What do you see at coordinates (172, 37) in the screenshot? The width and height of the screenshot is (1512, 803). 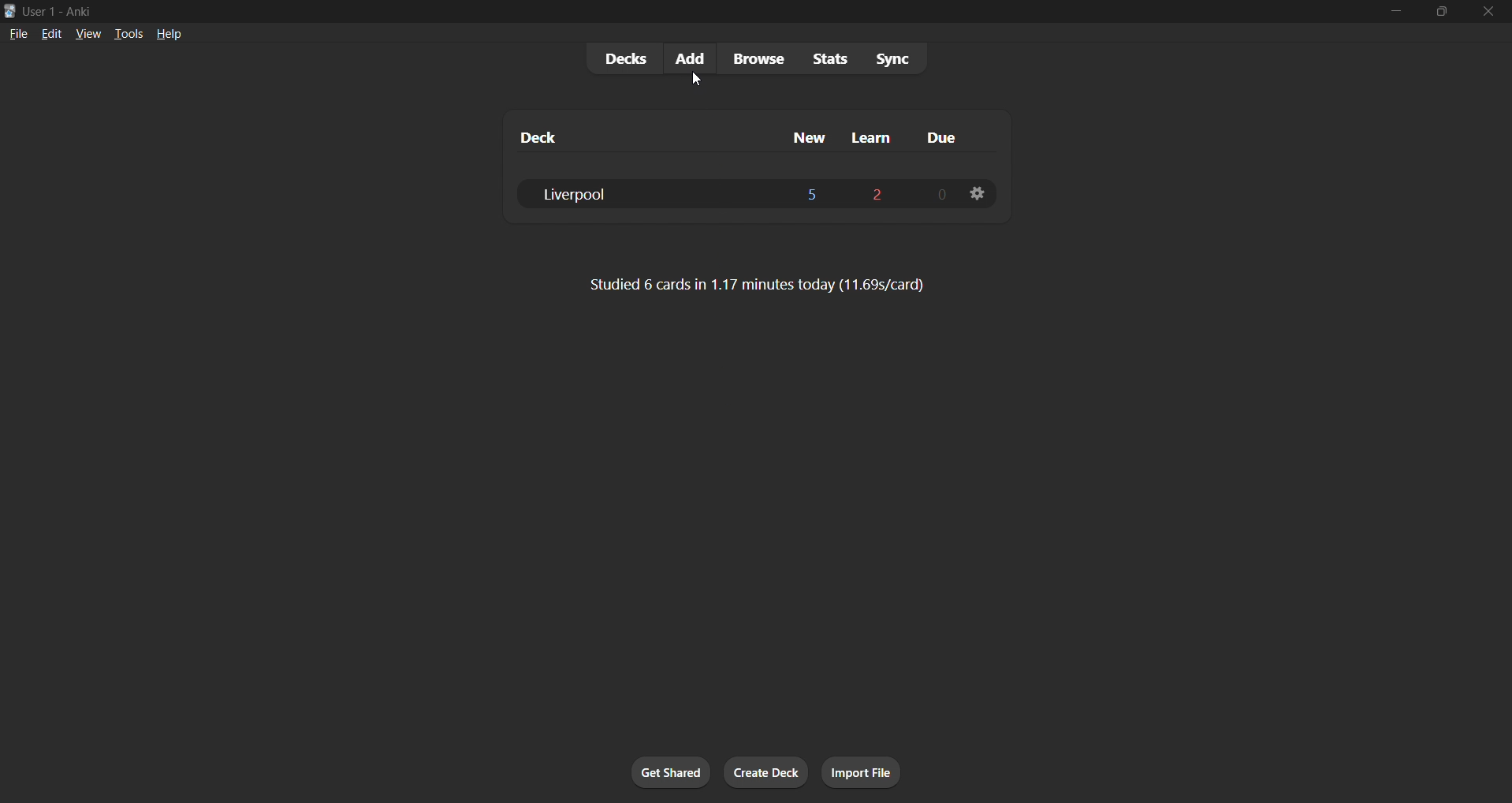 I see `help` at bounding box center [172, 37].